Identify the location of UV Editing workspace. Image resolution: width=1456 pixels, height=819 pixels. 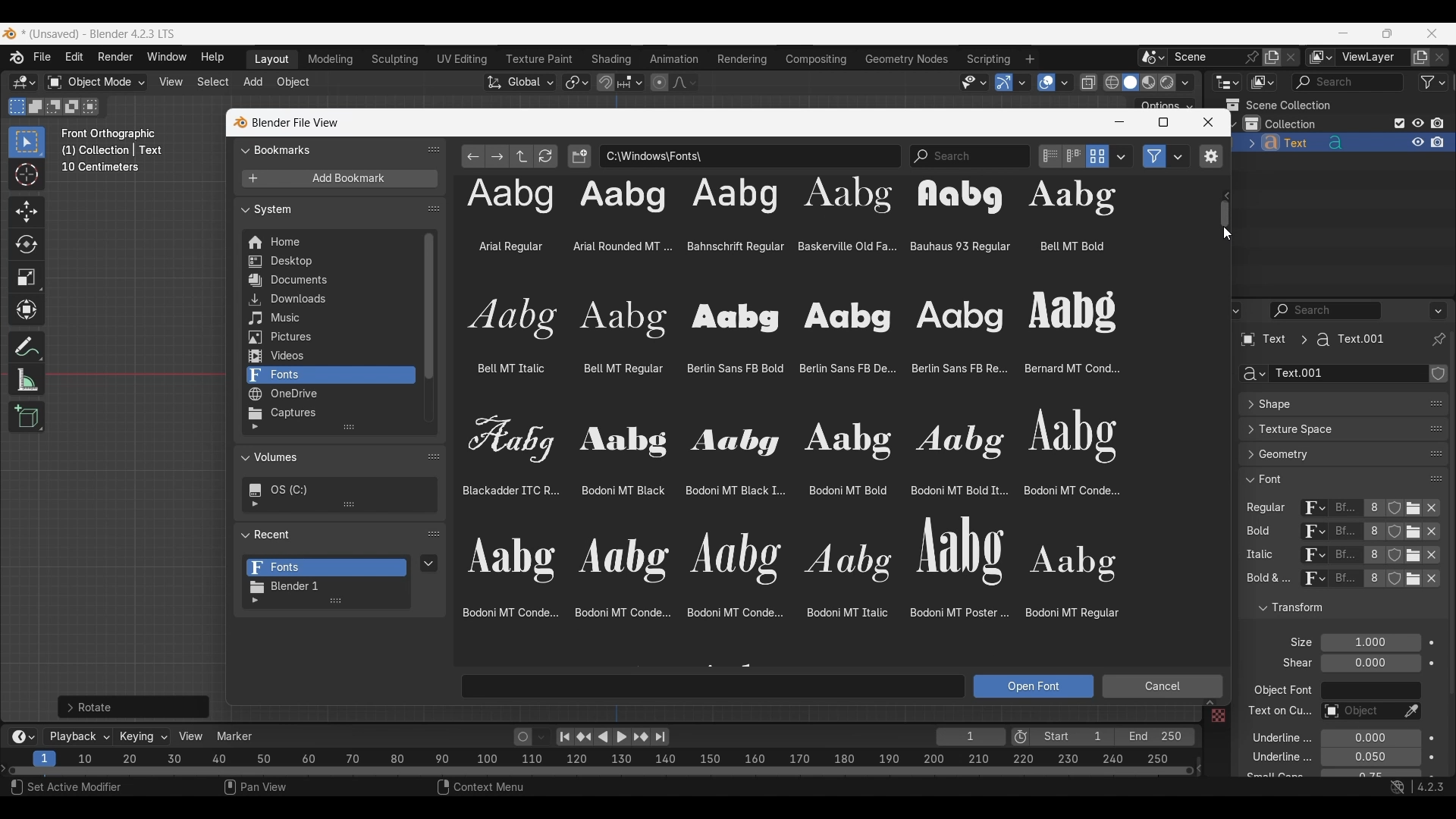
(463, 59).